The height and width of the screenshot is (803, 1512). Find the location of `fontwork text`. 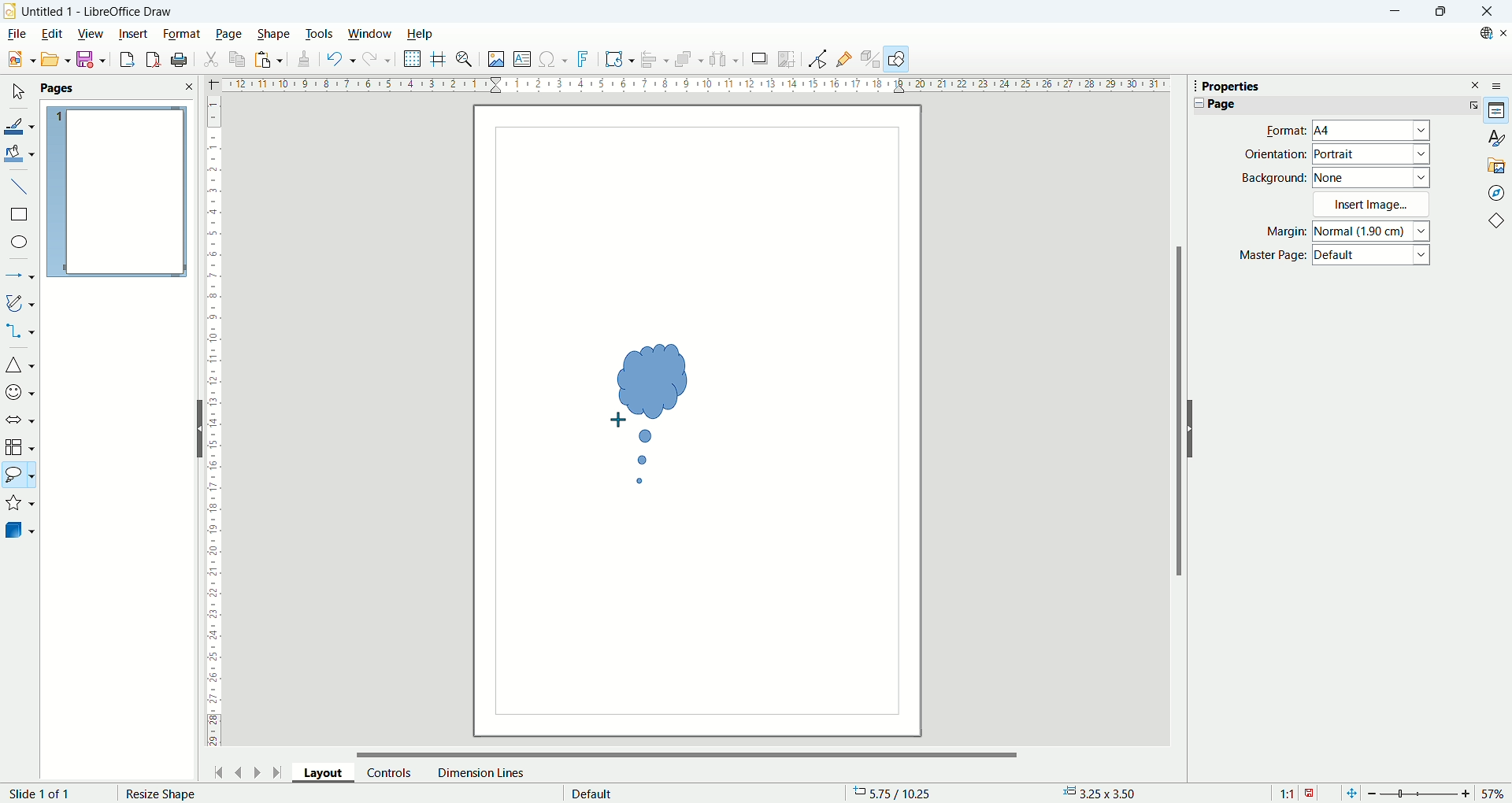

fontwork text is located at coordinates (585, 60).